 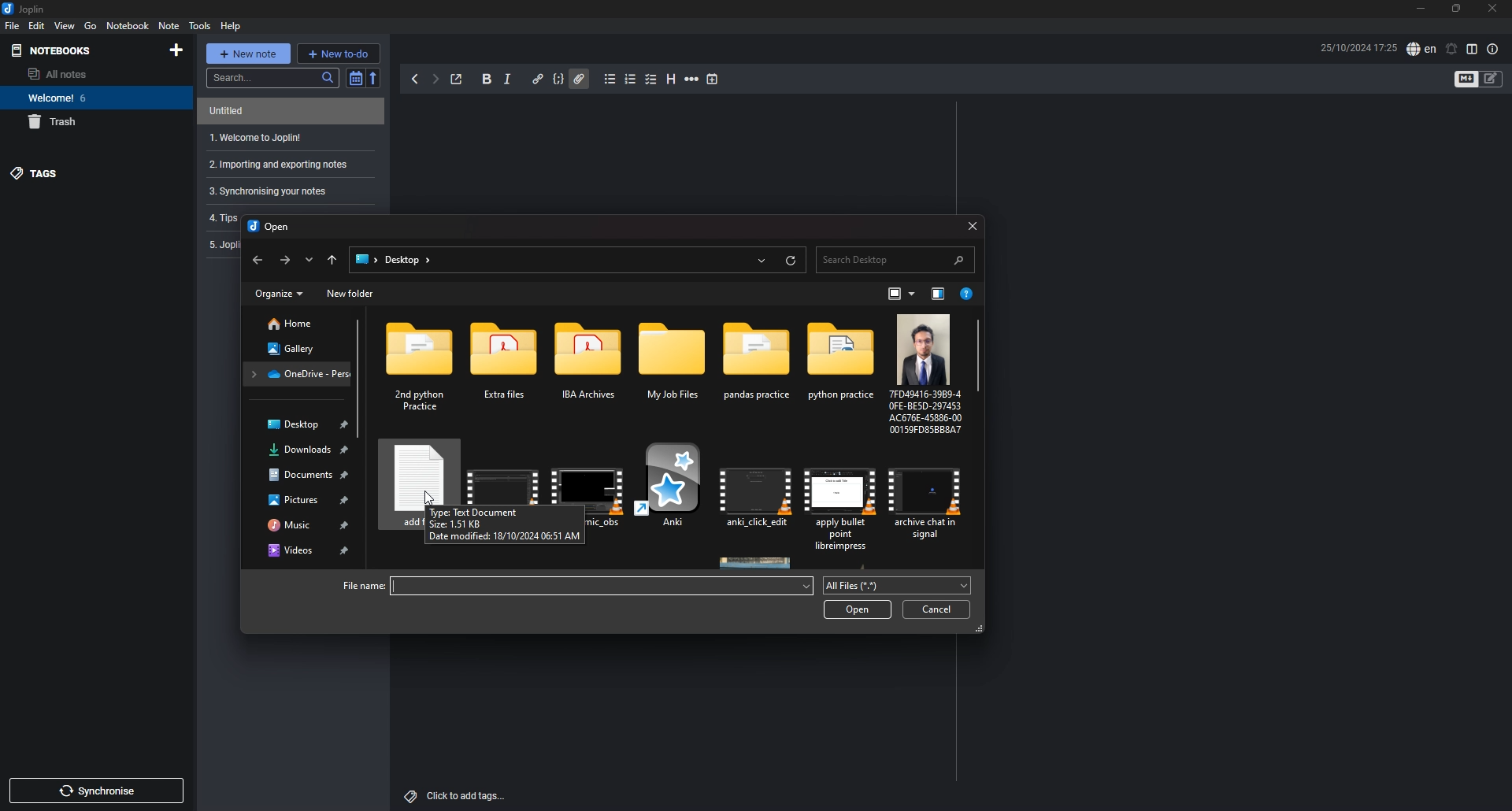 I want to click on click to add tags, so click(x=458, y=796).